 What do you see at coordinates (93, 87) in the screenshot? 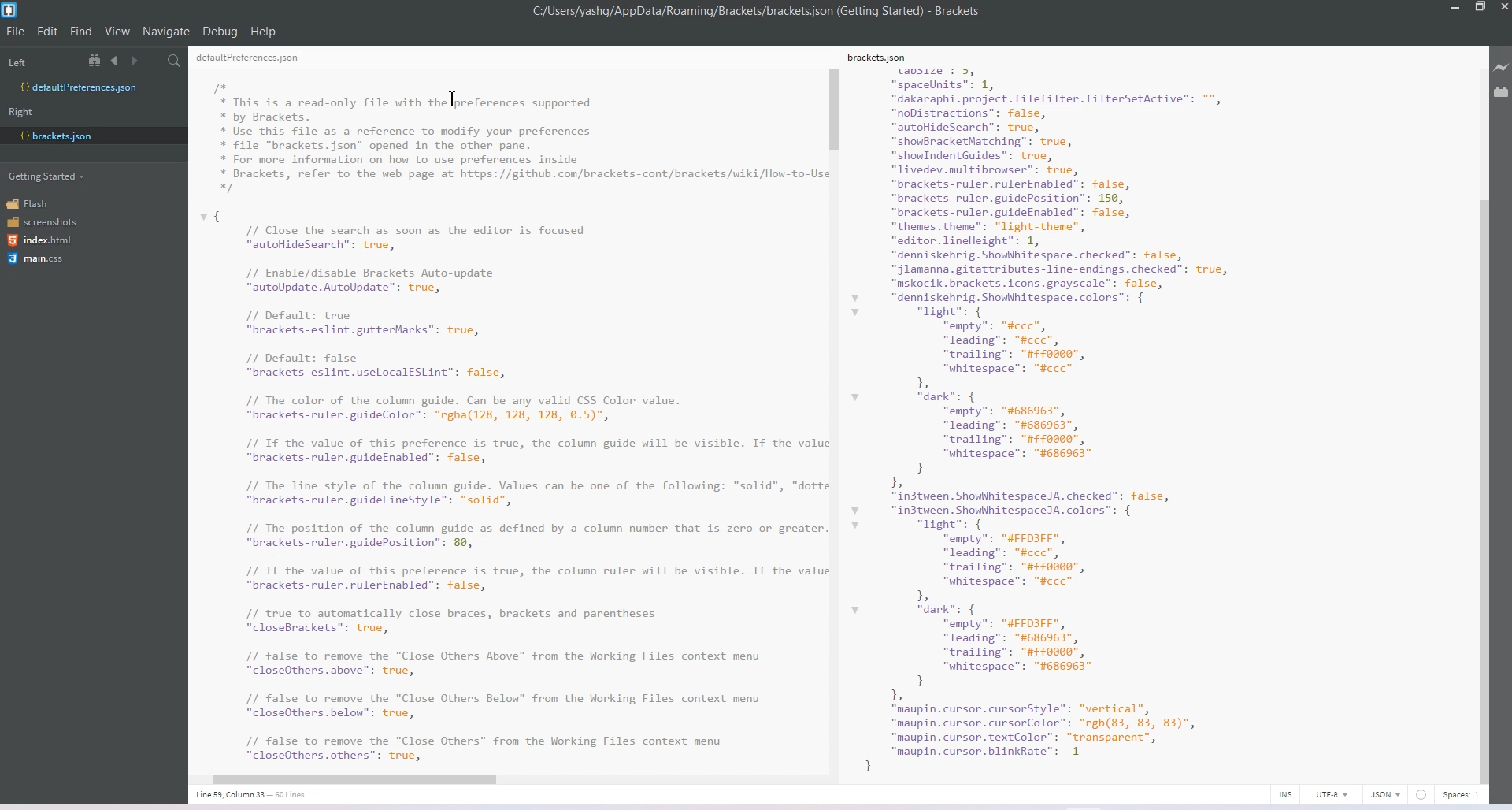
I see `Defaultpreferences.json` at bounding box center [93, 87].